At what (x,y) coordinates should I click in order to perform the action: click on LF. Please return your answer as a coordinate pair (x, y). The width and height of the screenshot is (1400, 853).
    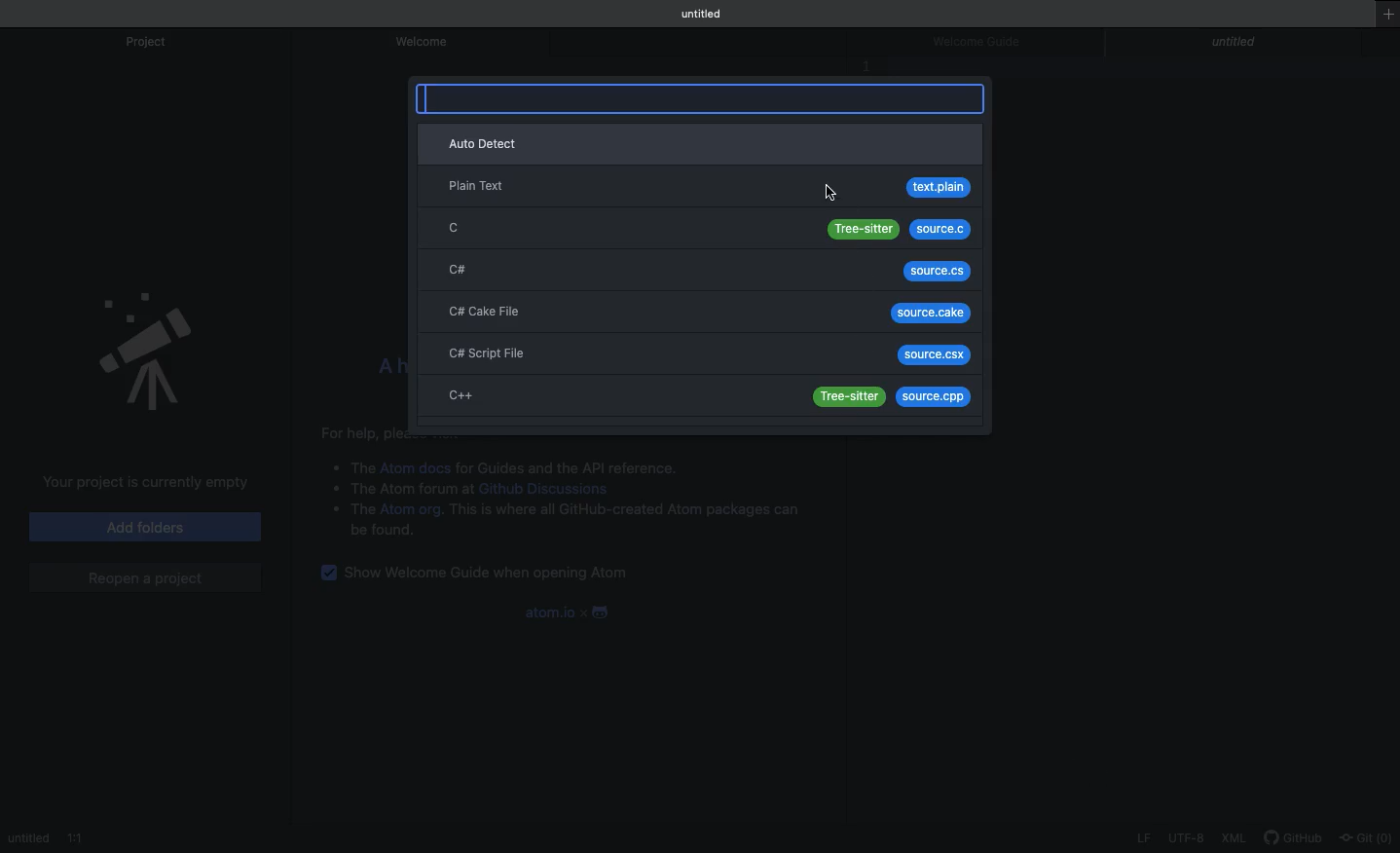
    Looking at the image, I should click on (1143, 836).